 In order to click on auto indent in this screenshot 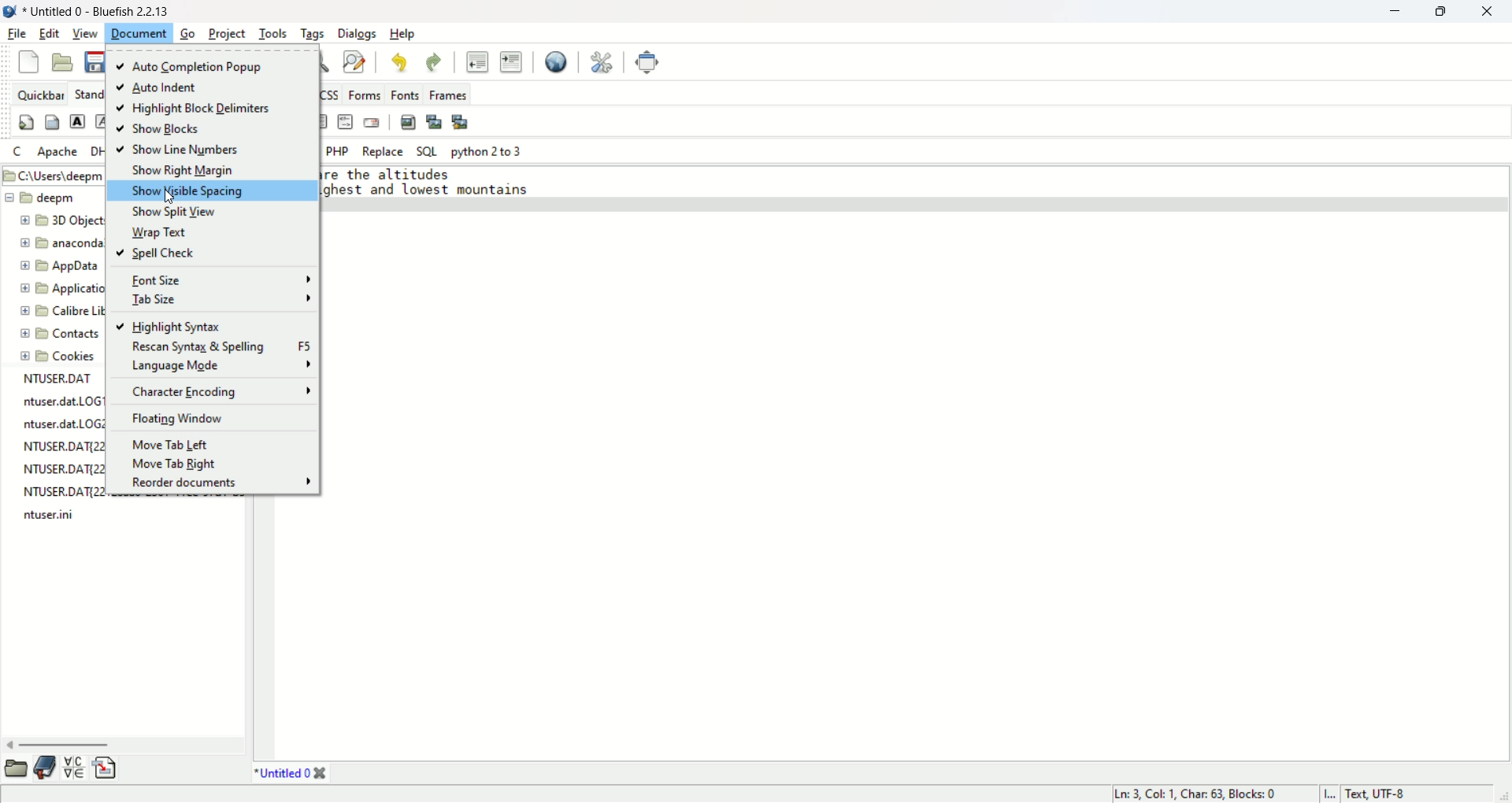, I will do `click(164, 86)`.